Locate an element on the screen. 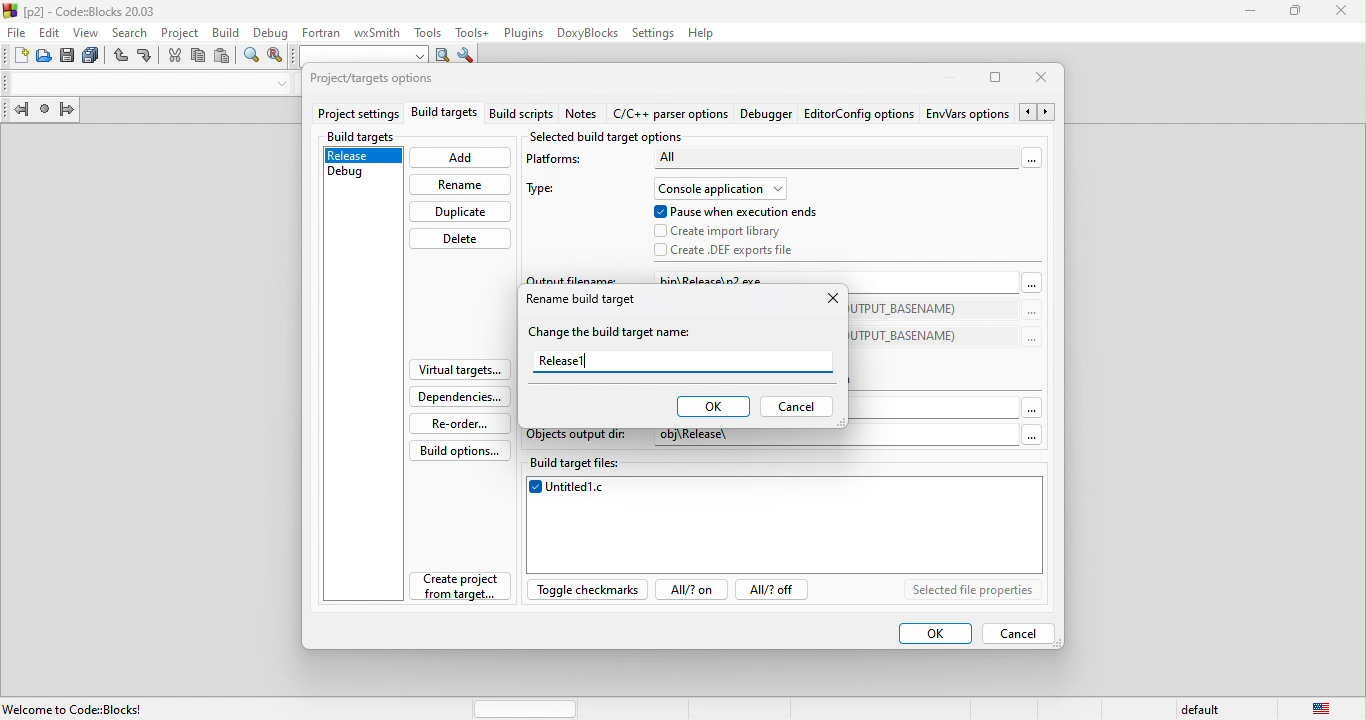 The height and width of the screenshot is (720, 1366). ok is located at coordinates (934, 633).